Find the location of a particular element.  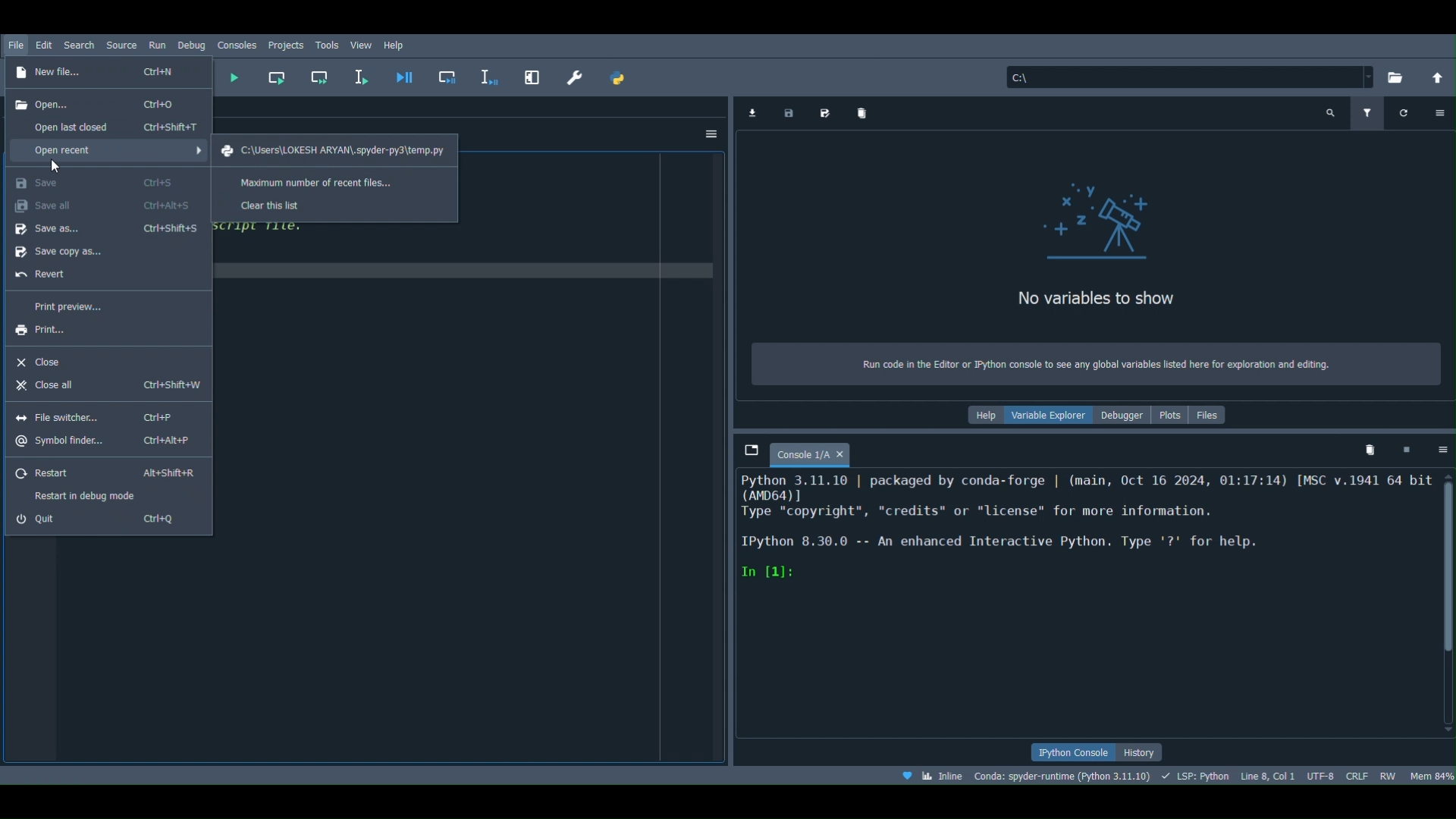

Browse a working directory is located at coordinates (1393, 75).